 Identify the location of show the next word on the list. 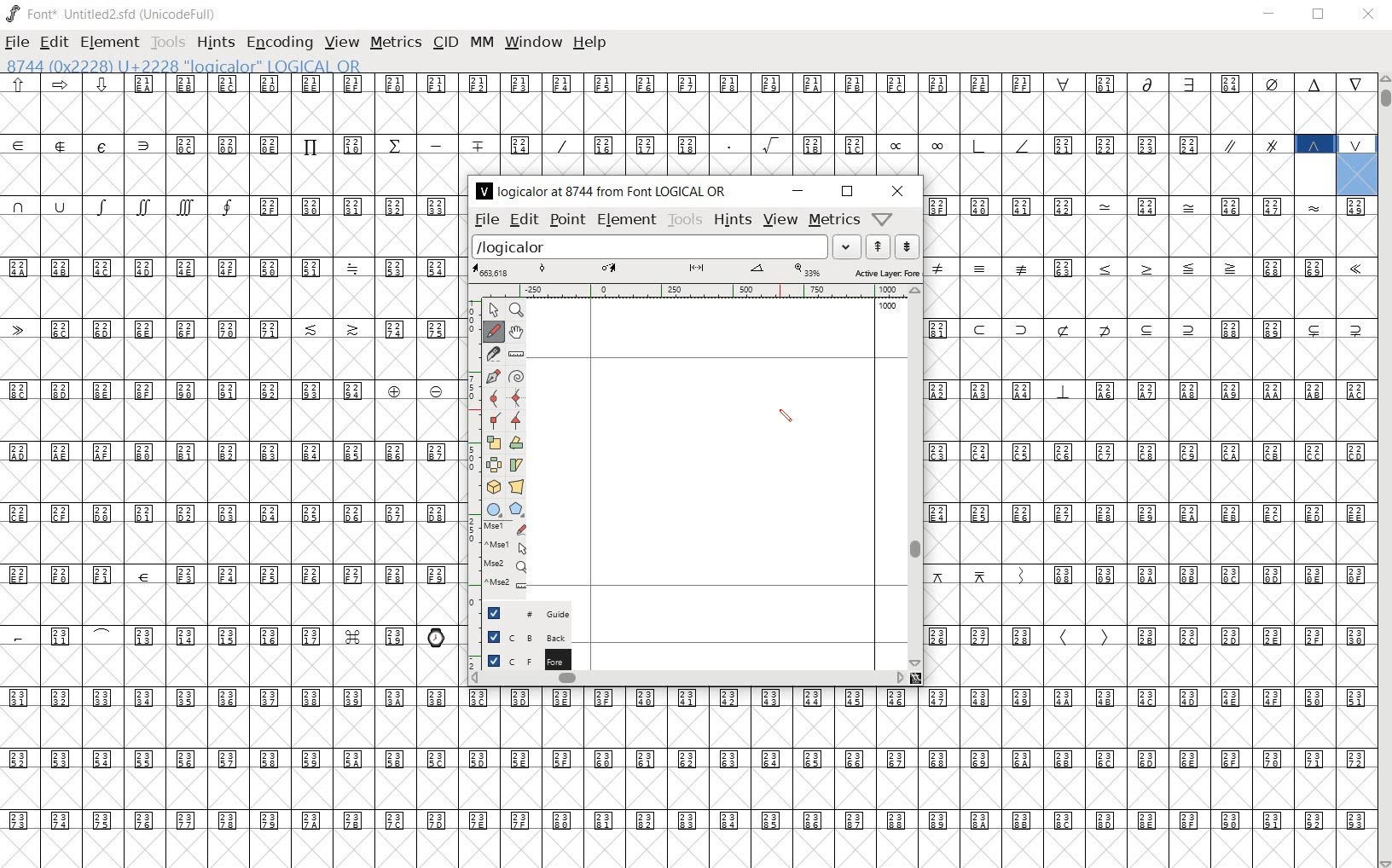
(878, 246).